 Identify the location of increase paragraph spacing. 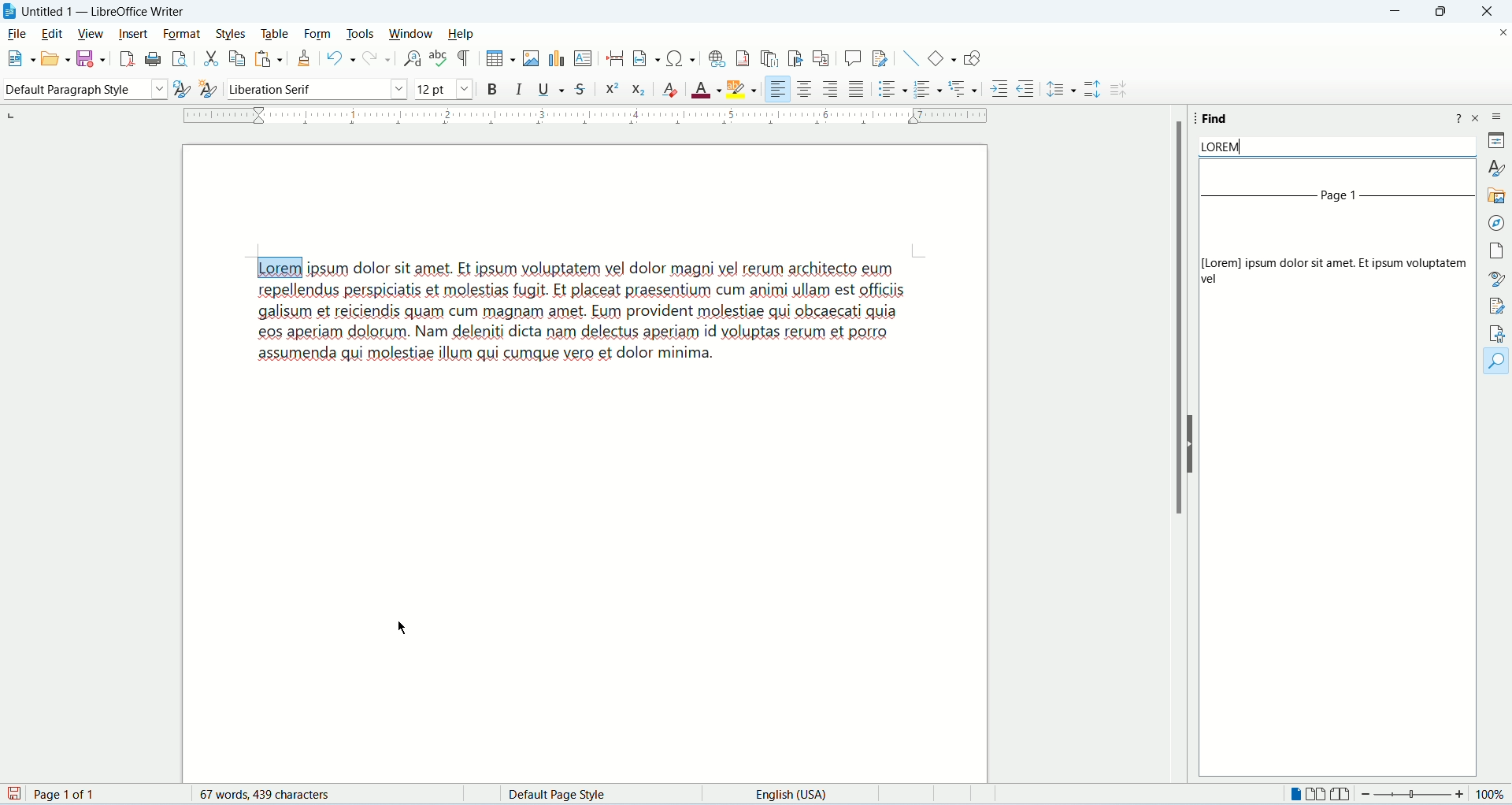
(1094, 91).